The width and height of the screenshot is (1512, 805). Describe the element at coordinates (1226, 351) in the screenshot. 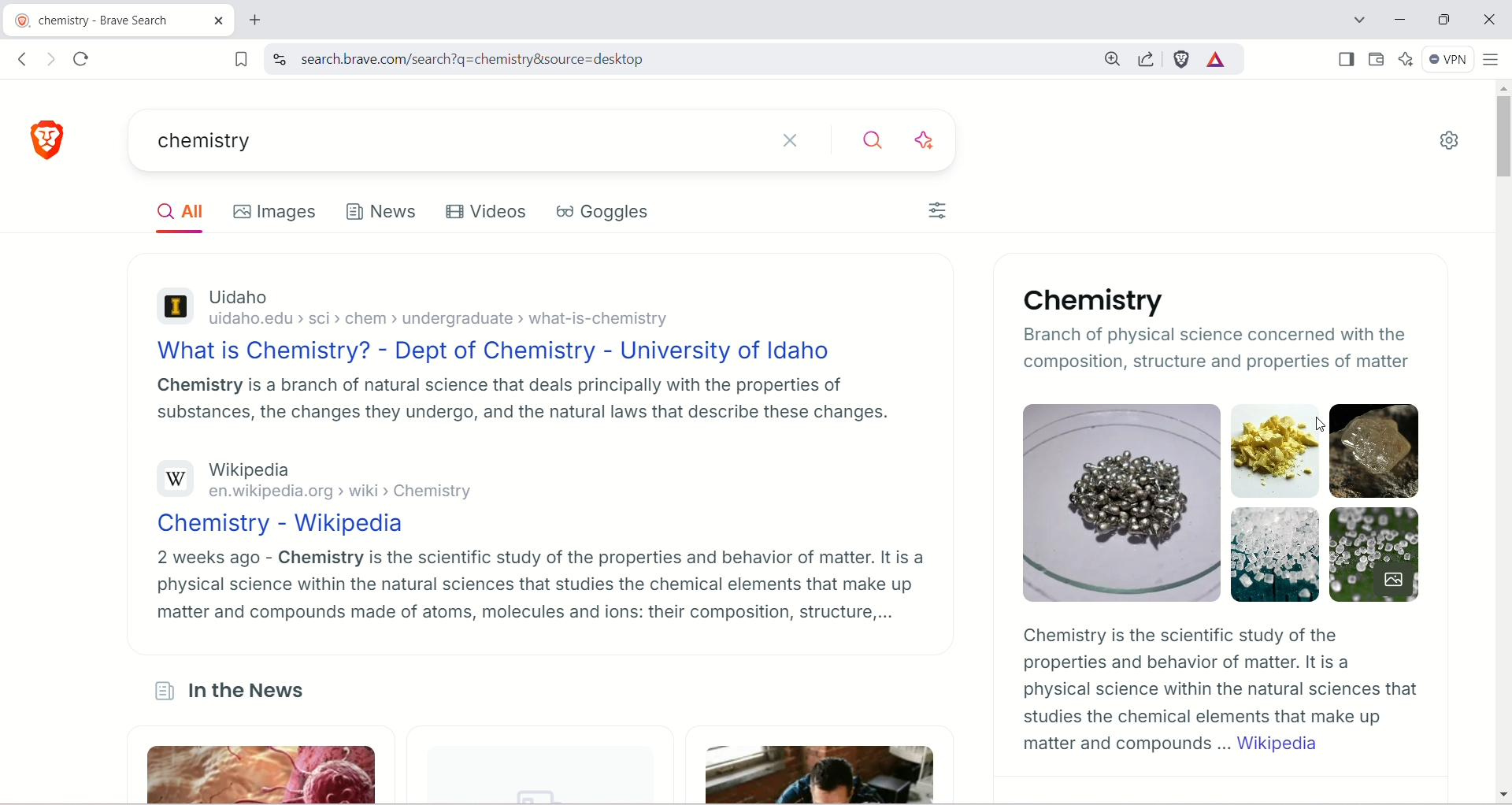

I see `Branch of physical science concerned with the
composition structure and properties of matter` at that location.